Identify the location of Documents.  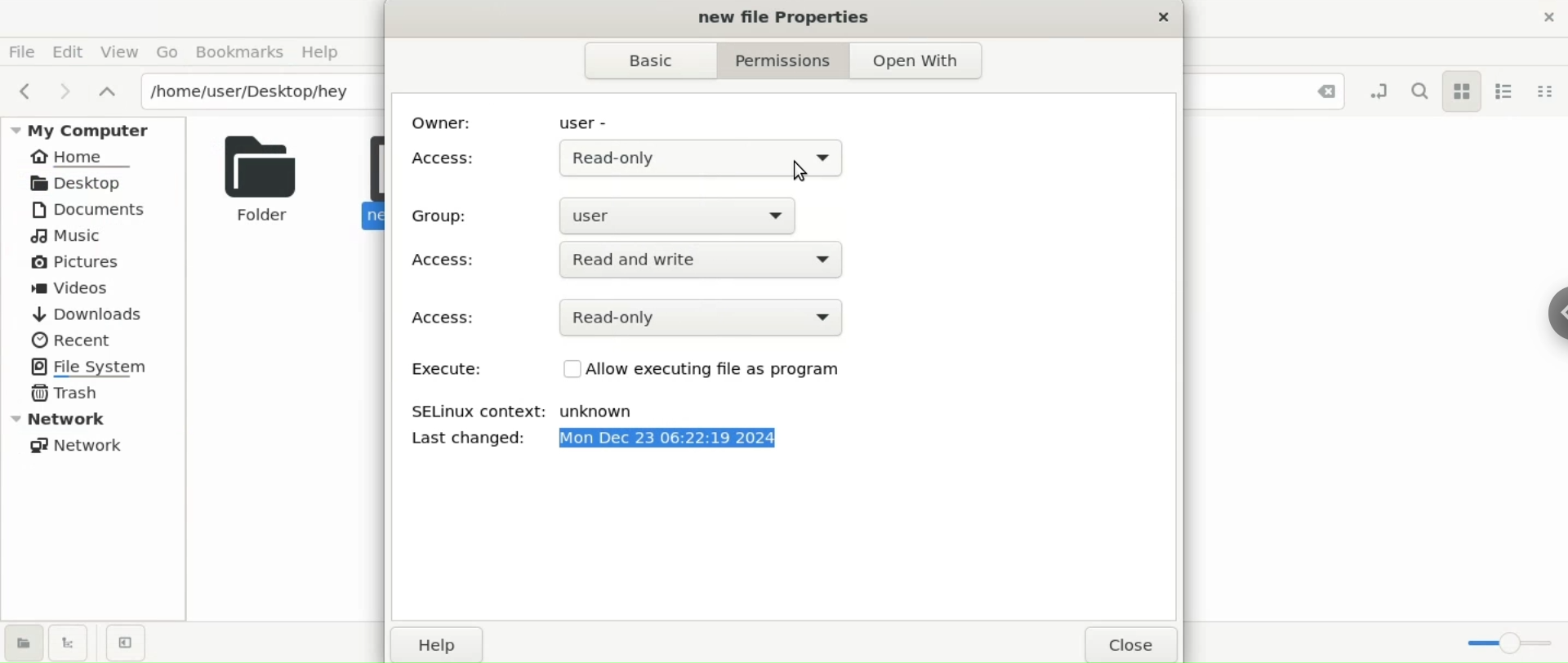
(96, 209).